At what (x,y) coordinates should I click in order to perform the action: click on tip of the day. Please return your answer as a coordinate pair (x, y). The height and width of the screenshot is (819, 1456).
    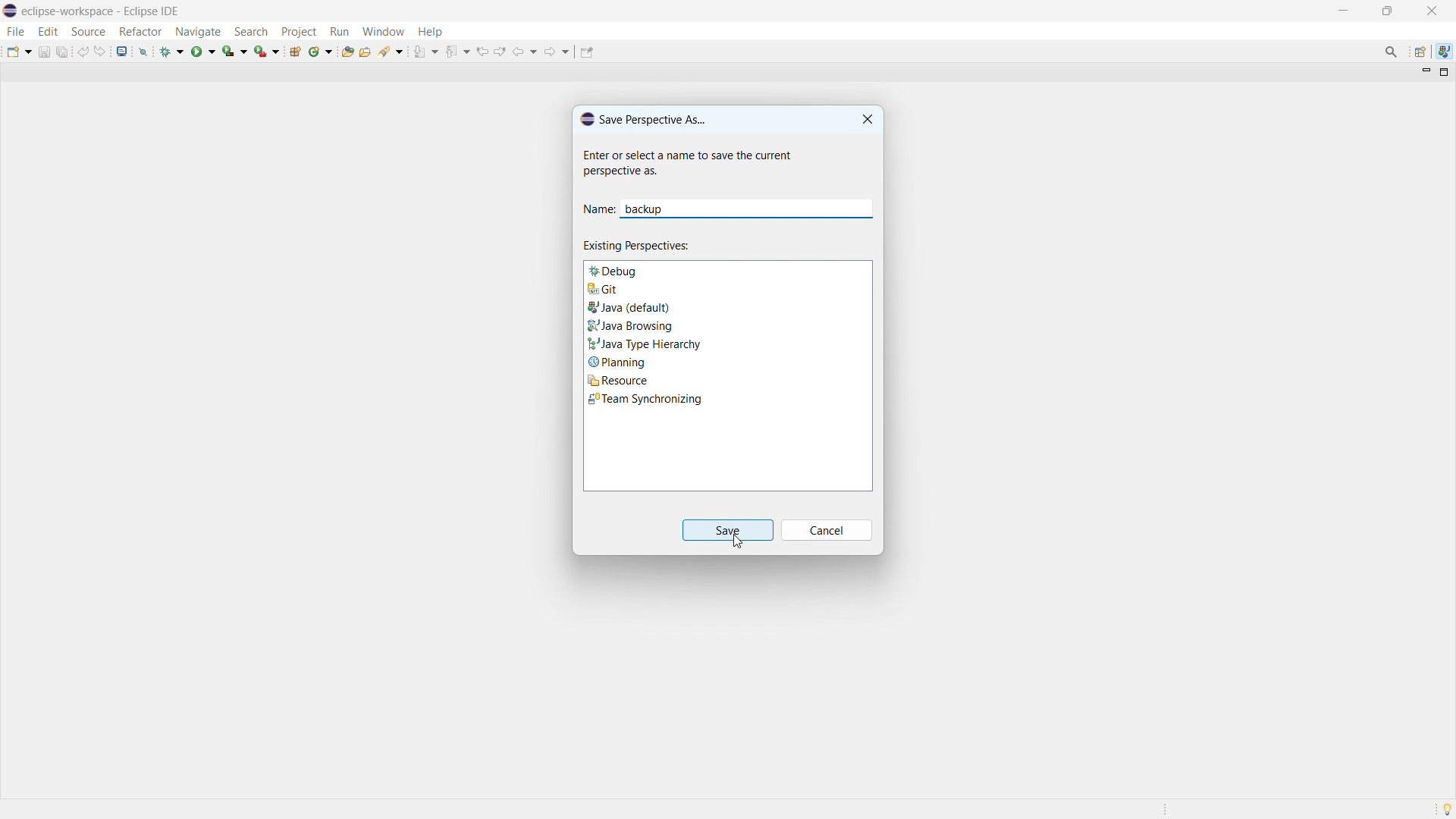
    Looking at the image, I should click on (1447, 809).